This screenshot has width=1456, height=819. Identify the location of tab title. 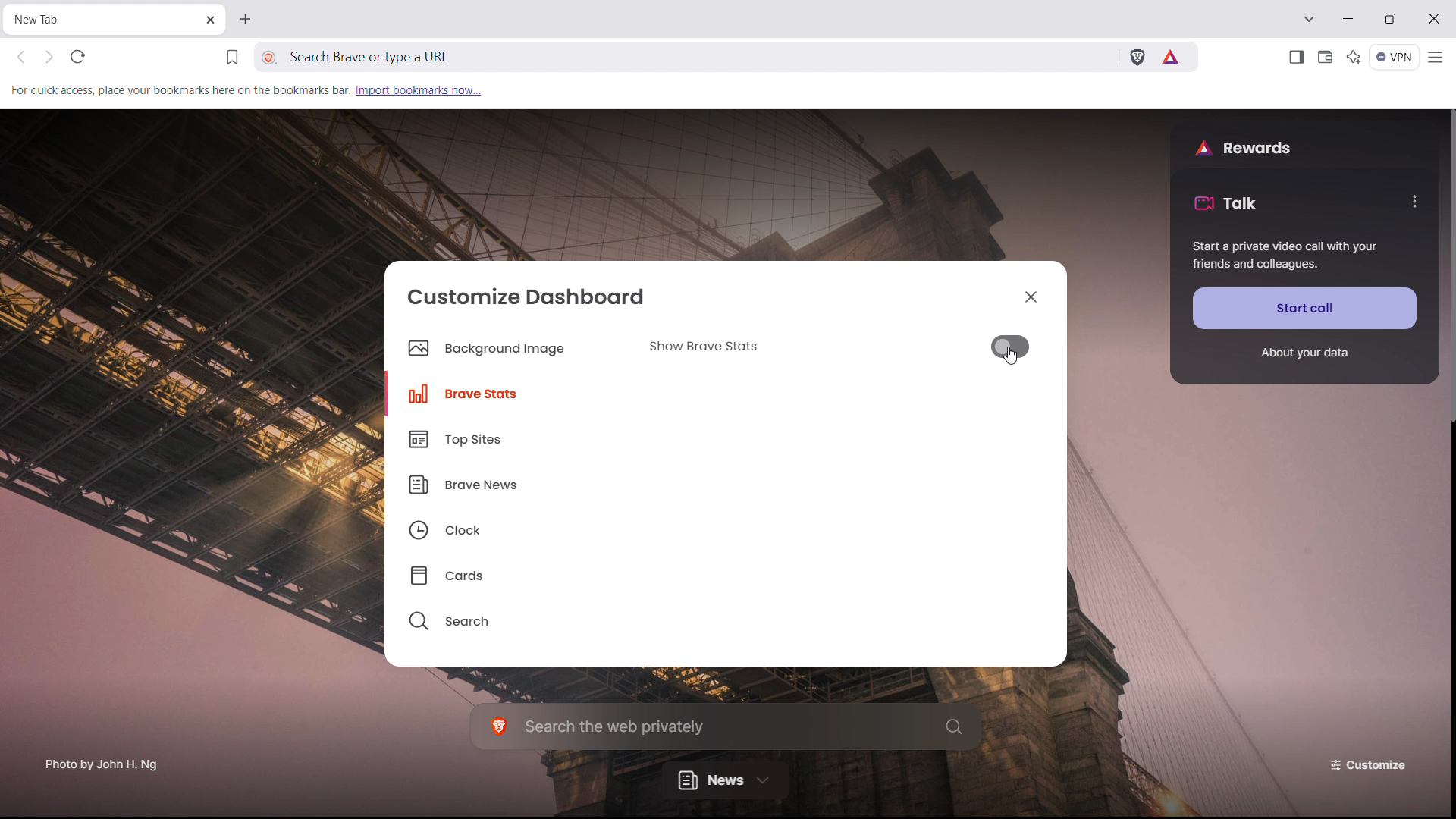
(47, 19).